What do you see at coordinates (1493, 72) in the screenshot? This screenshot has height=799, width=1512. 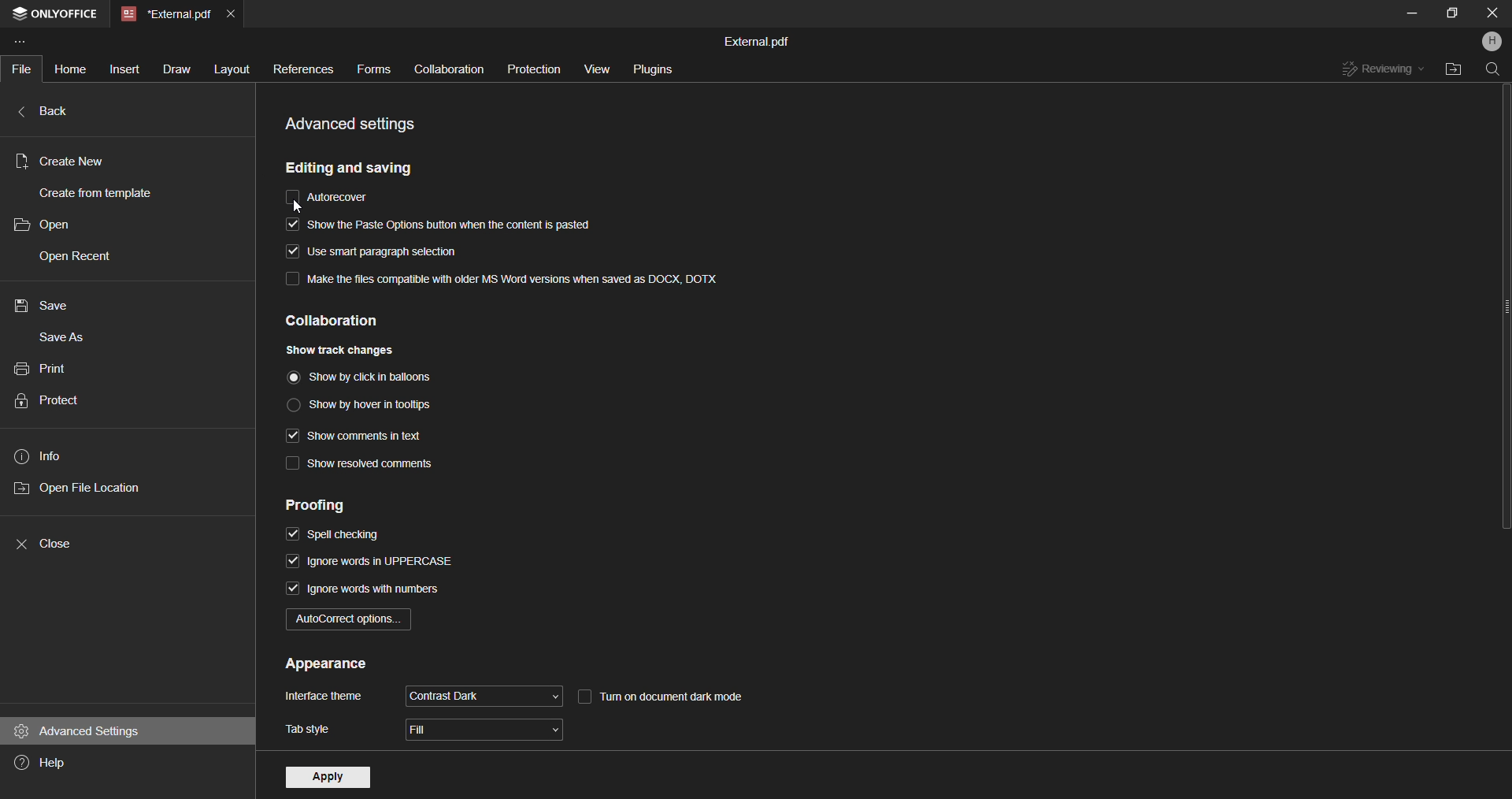 I see `Find` at bounding box center [1493, 72].